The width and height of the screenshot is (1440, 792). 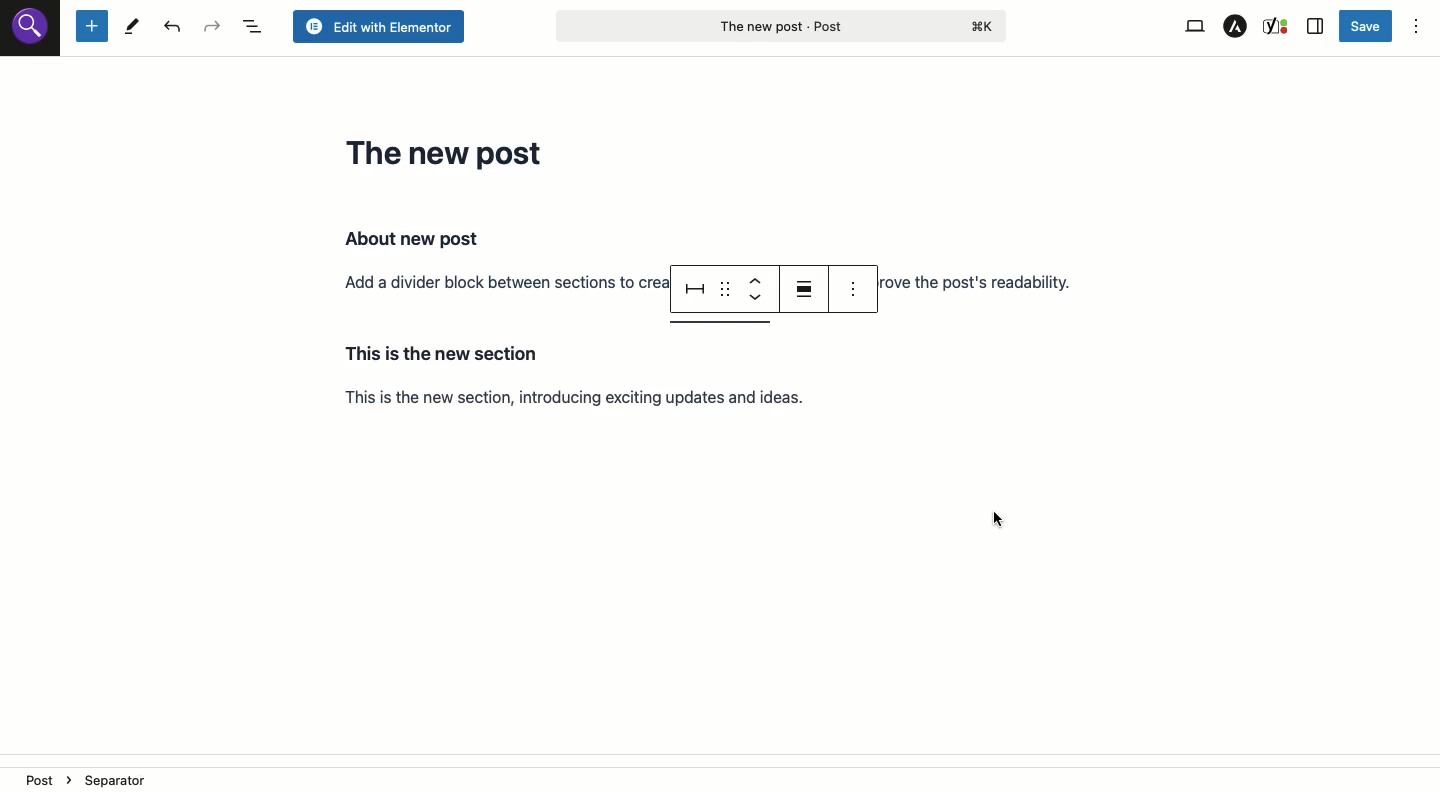 I want to click on Sidebar, so click(x=1316, y=27).